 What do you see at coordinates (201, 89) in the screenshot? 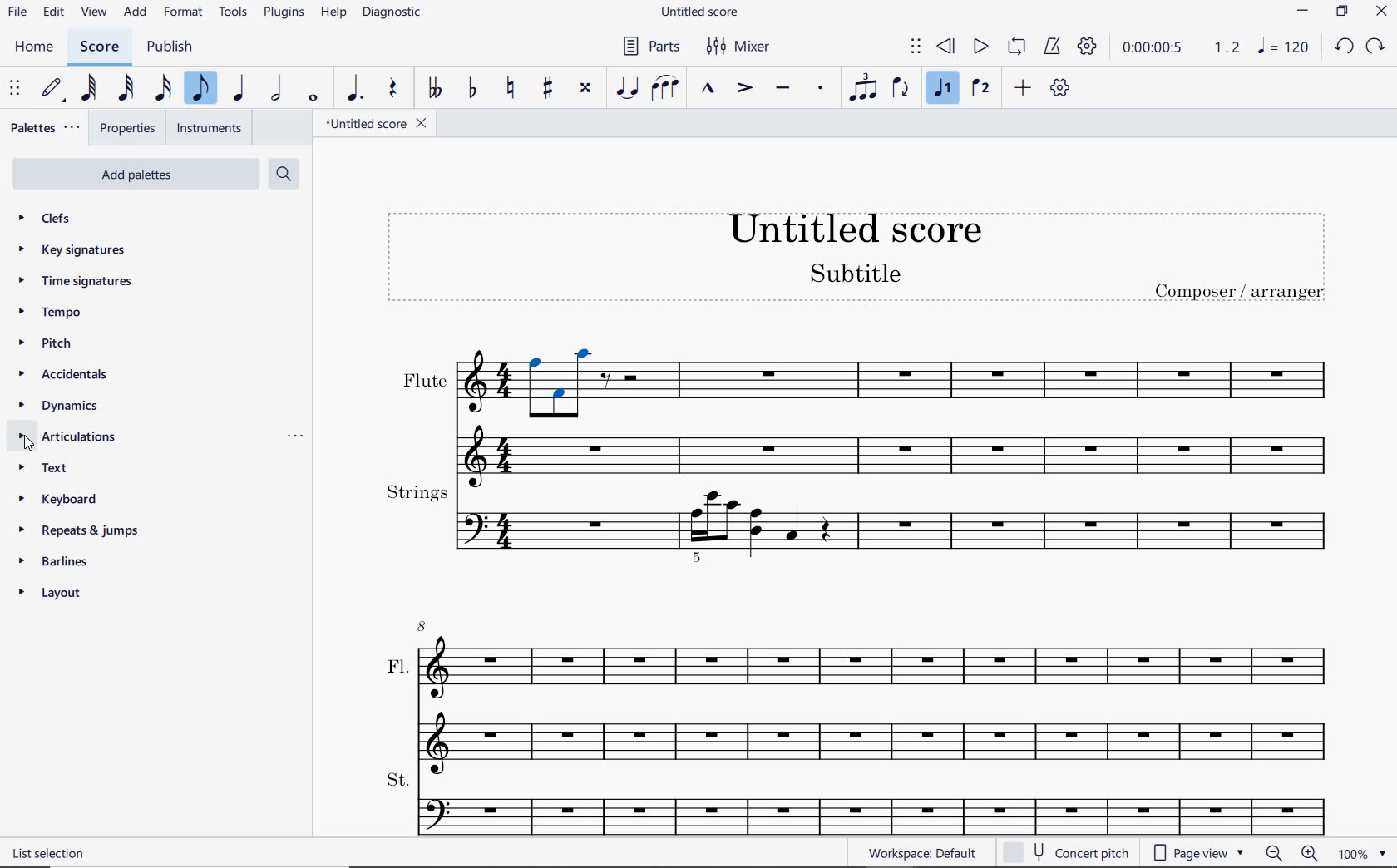
I see `EIGHTH NOTE` at bounding box center [201, 89].